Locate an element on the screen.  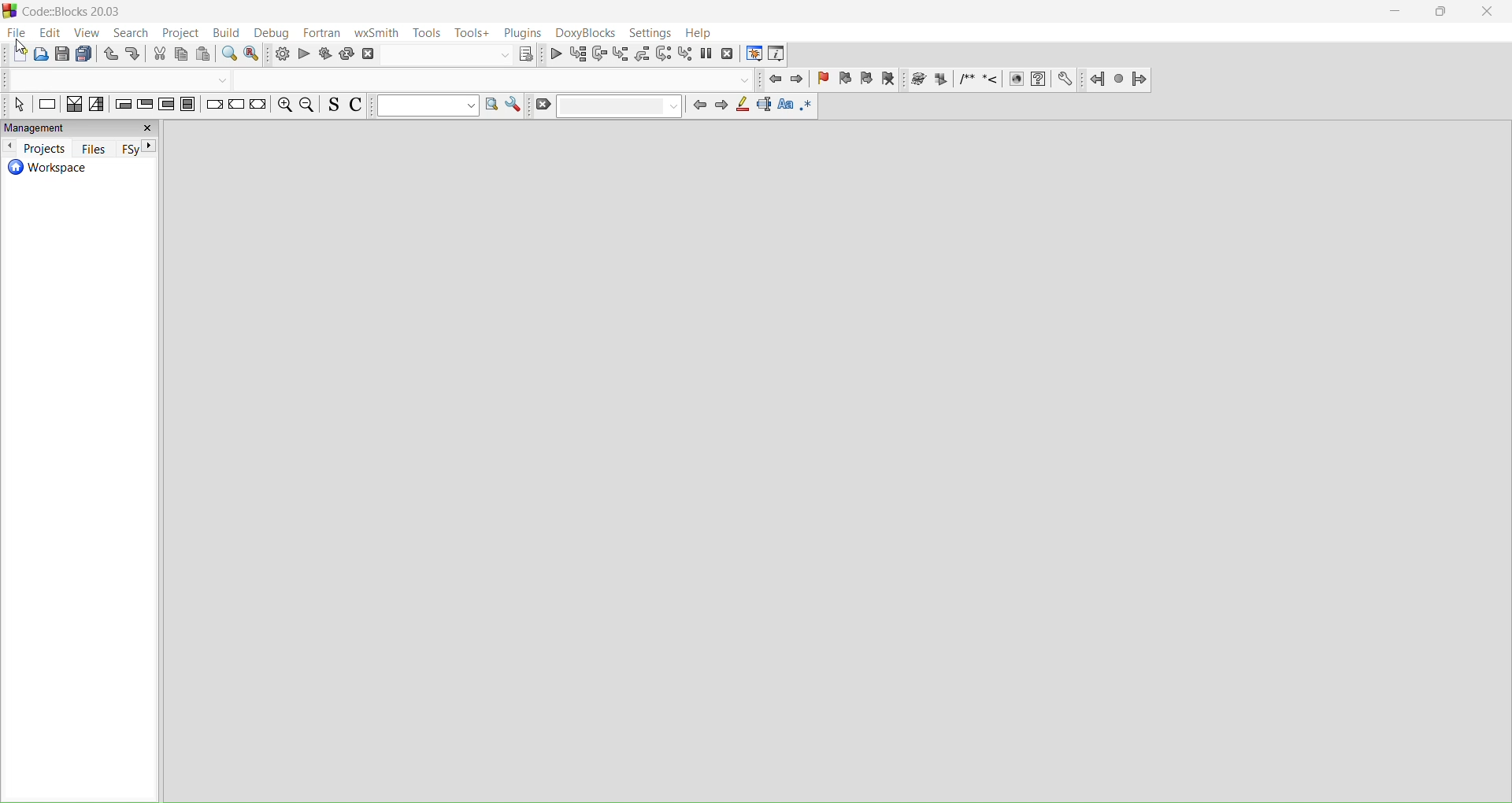
clear is located at coordinates (608, 107).